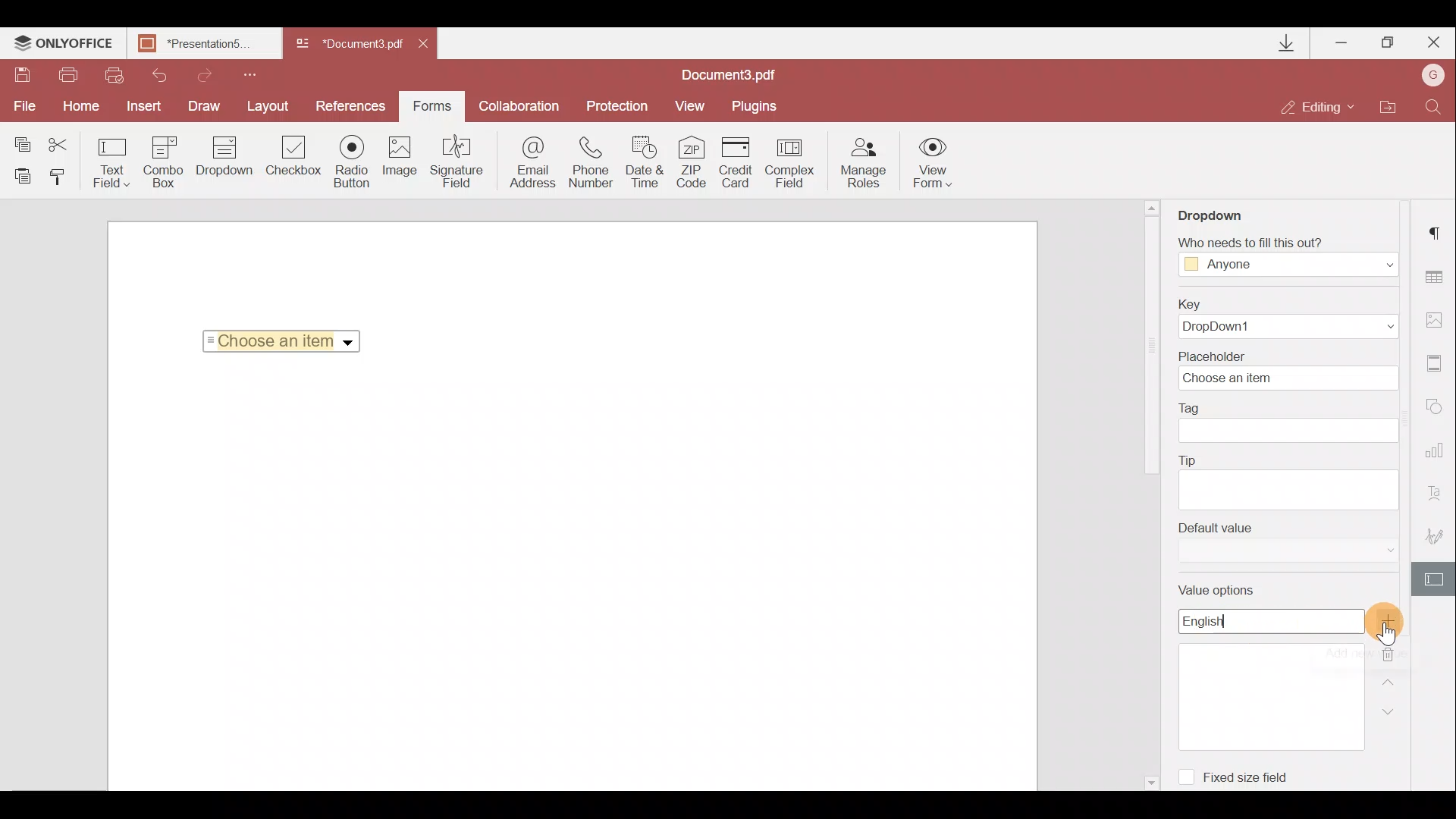 The height and width of the screenshot is (819, 1456). What do you see at coordinates (863, 163) in the screenshot?
I see `Manage roles` at bounding box center [863, 163].